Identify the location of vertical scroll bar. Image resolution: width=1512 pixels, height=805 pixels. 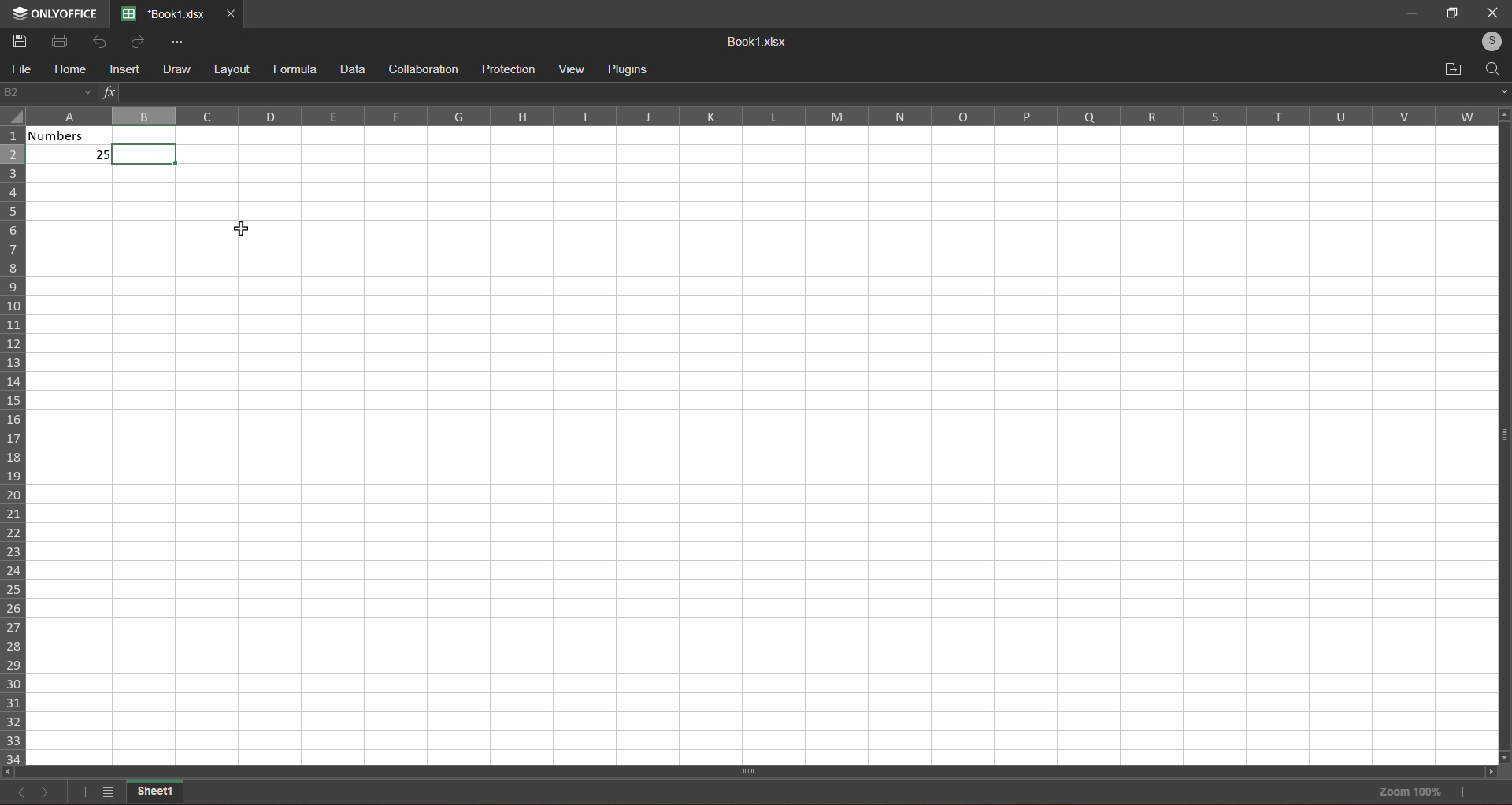
(1501, 446).